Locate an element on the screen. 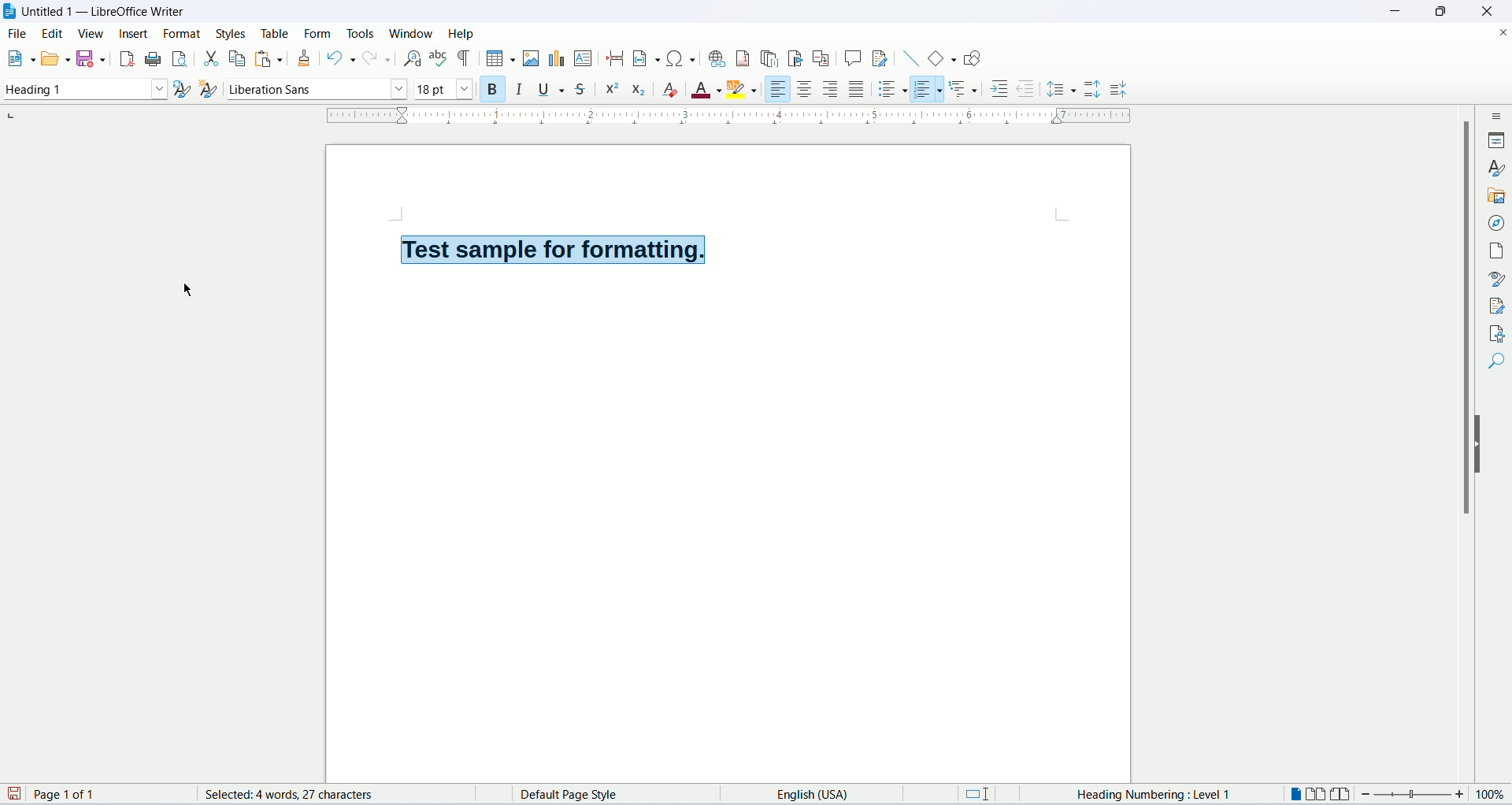 The image size is (1512, 805). insert cross reference is located at coordinates (821, 58).